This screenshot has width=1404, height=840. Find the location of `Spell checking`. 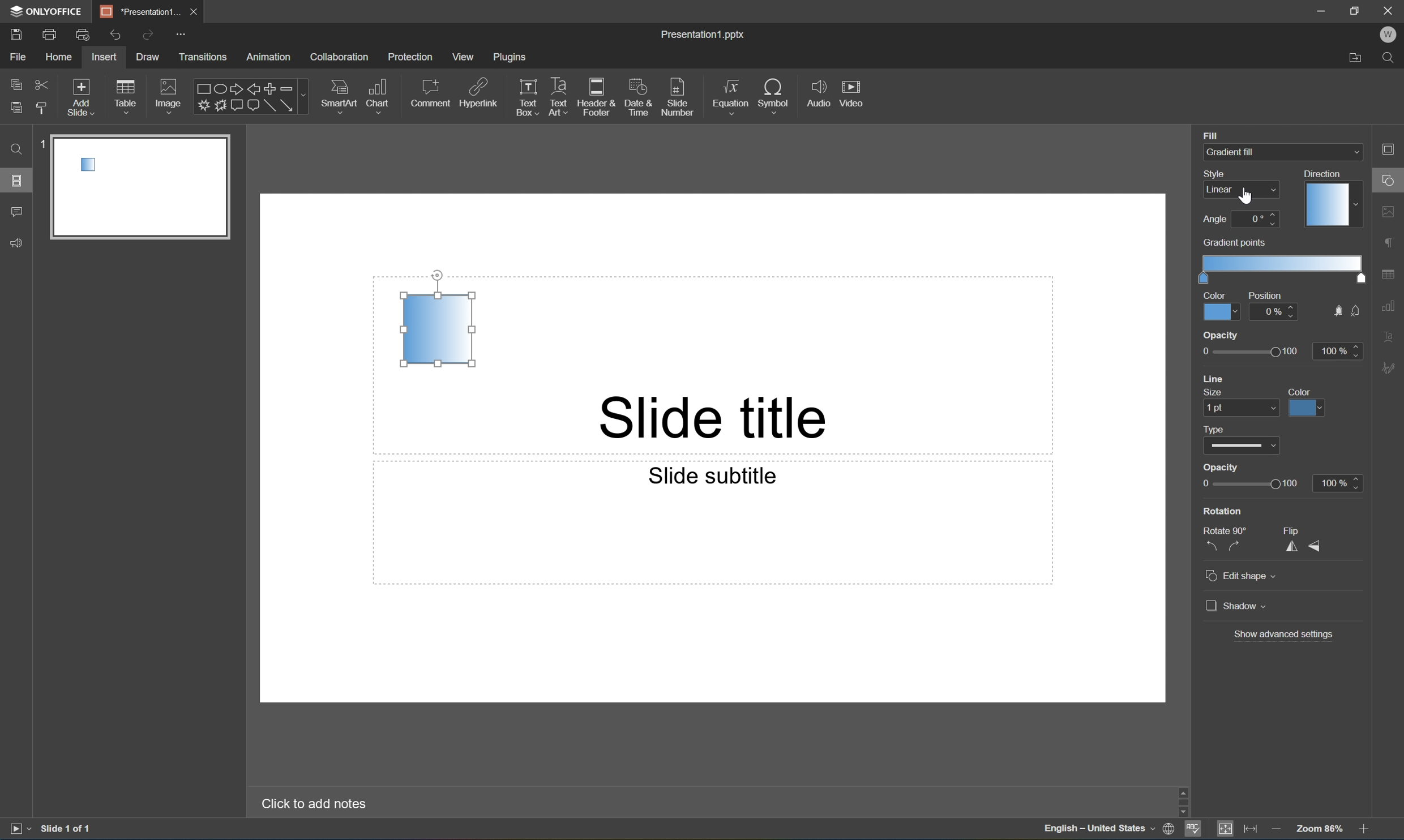

Spell checking is located at coordinates (1193, 830).